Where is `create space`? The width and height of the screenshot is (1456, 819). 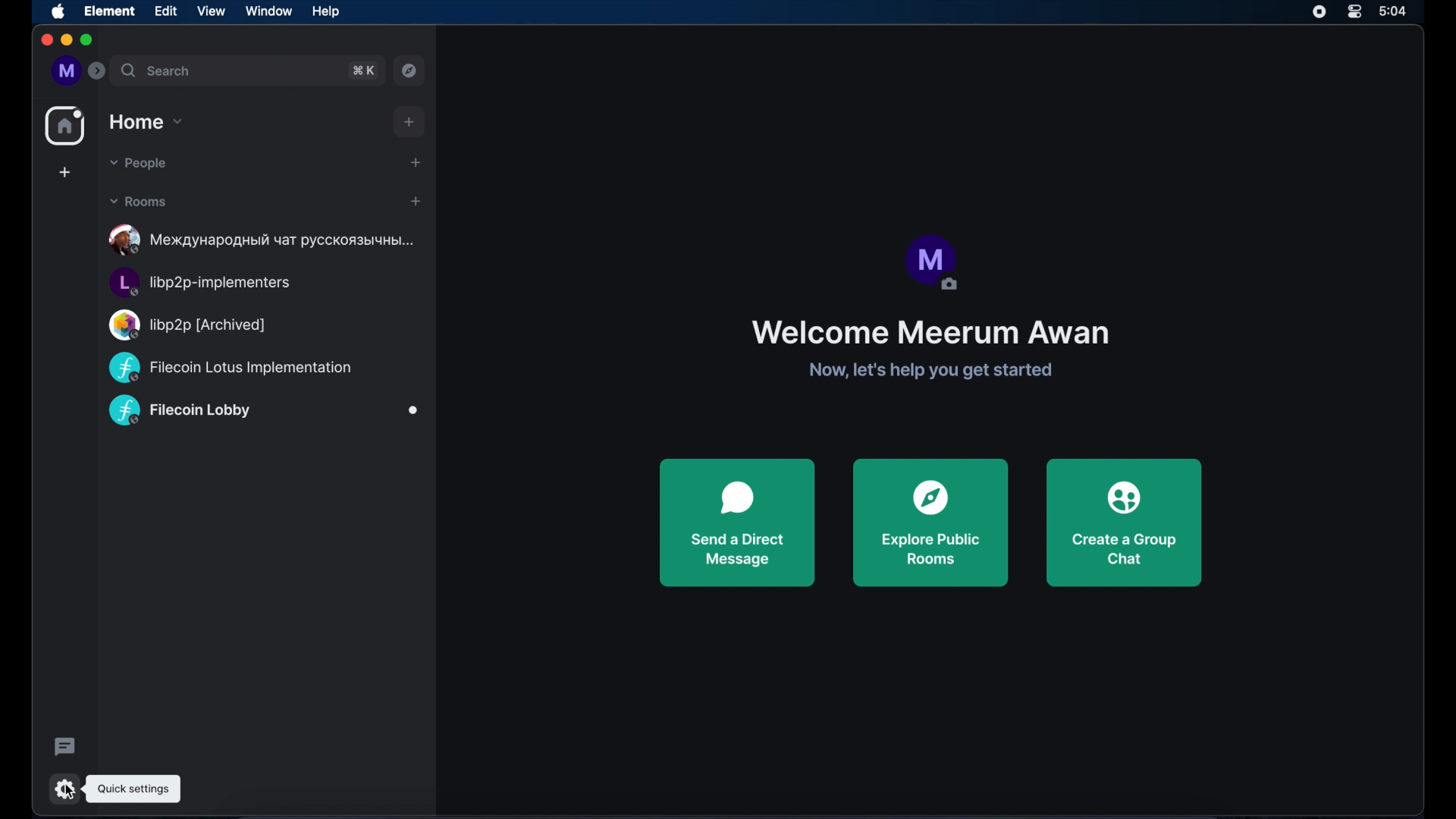
create space is located at coordinates (65, 172).